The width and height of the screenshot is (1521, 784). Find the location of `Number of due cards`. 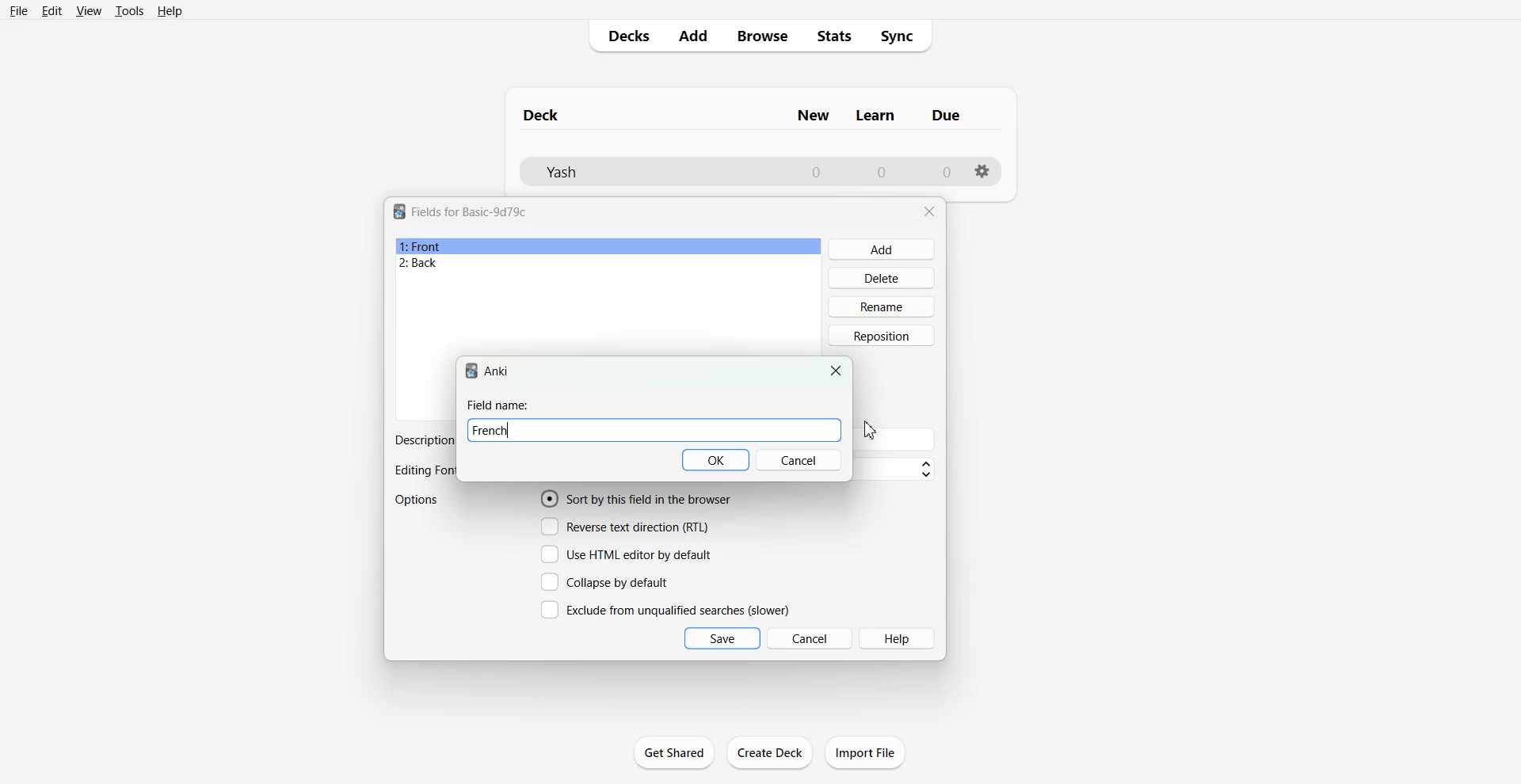

Number of due cards is located at coordinates (947, 172).